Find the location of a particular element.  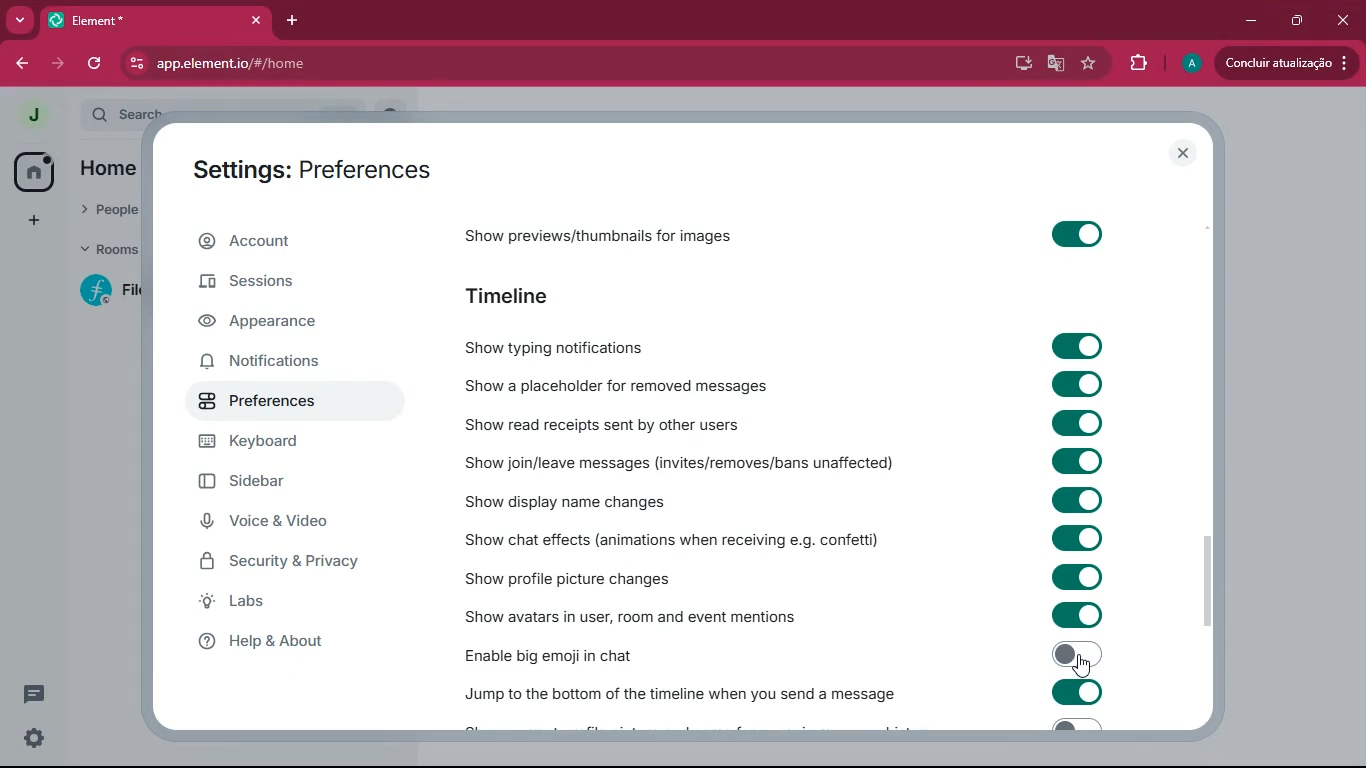

settings: preferences is located at coordinates (318, 170).